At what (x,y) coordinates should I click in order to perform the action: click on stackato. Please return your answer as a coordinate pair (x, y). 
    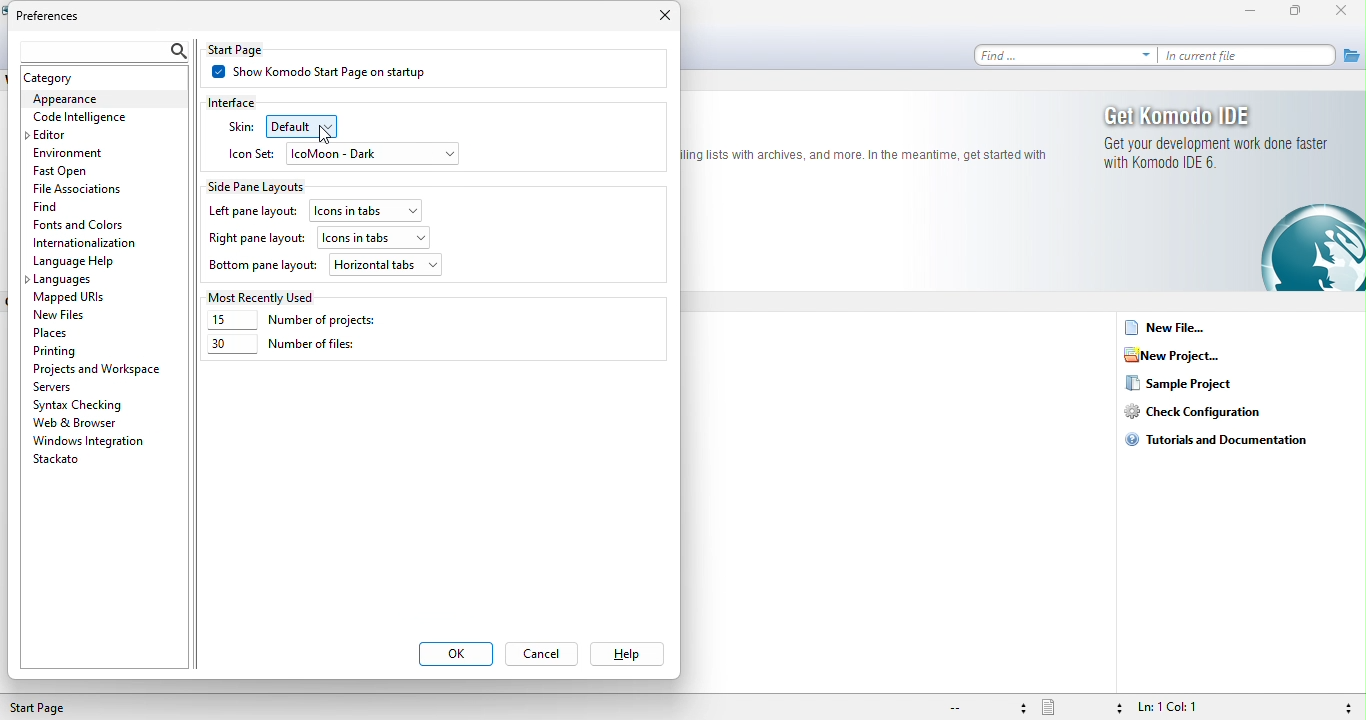
    Looking at the image, I should click on (62, 461).